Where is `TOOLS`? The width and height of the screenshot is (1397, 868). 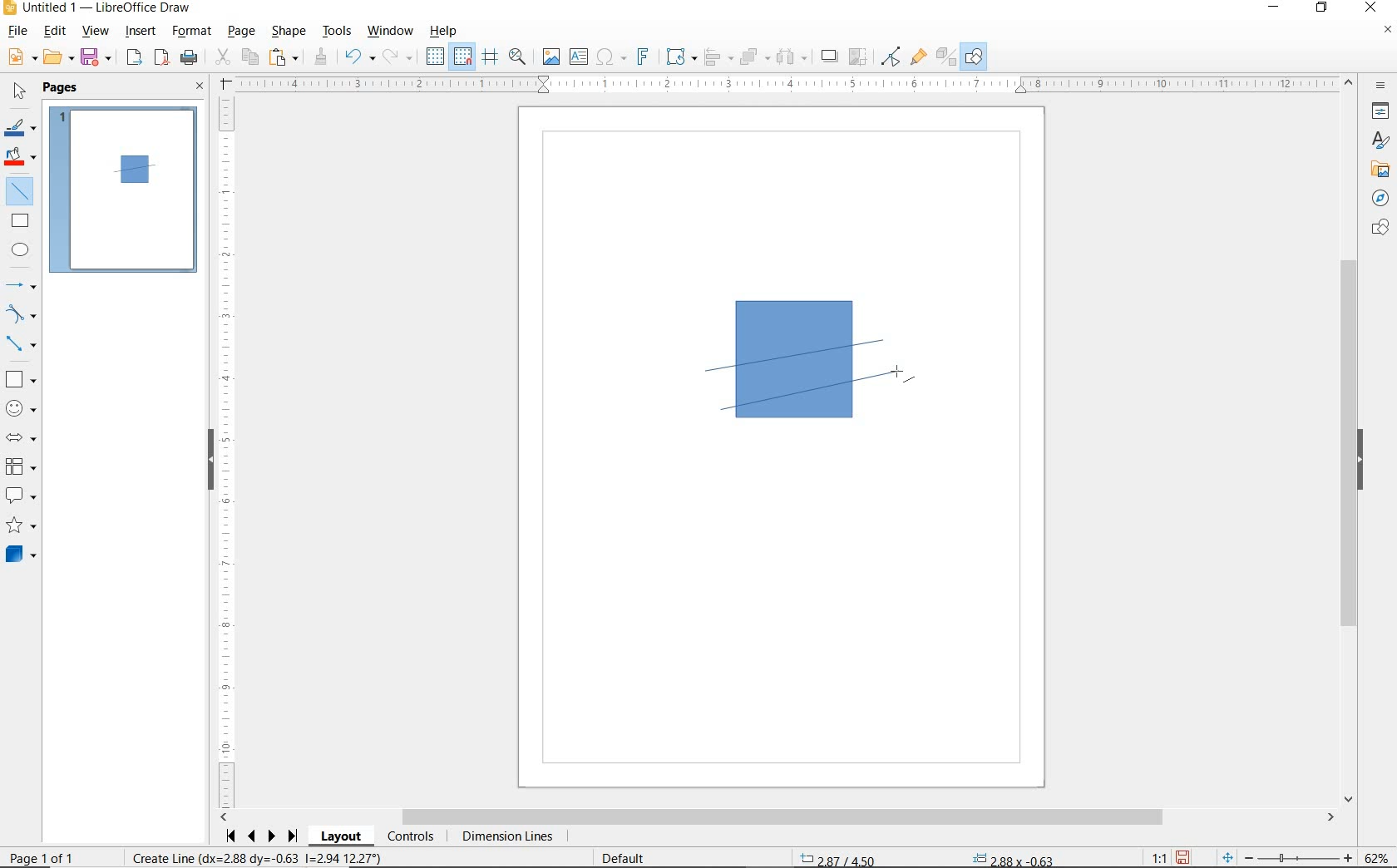 TOOLS is located at coordinates (338, 32).